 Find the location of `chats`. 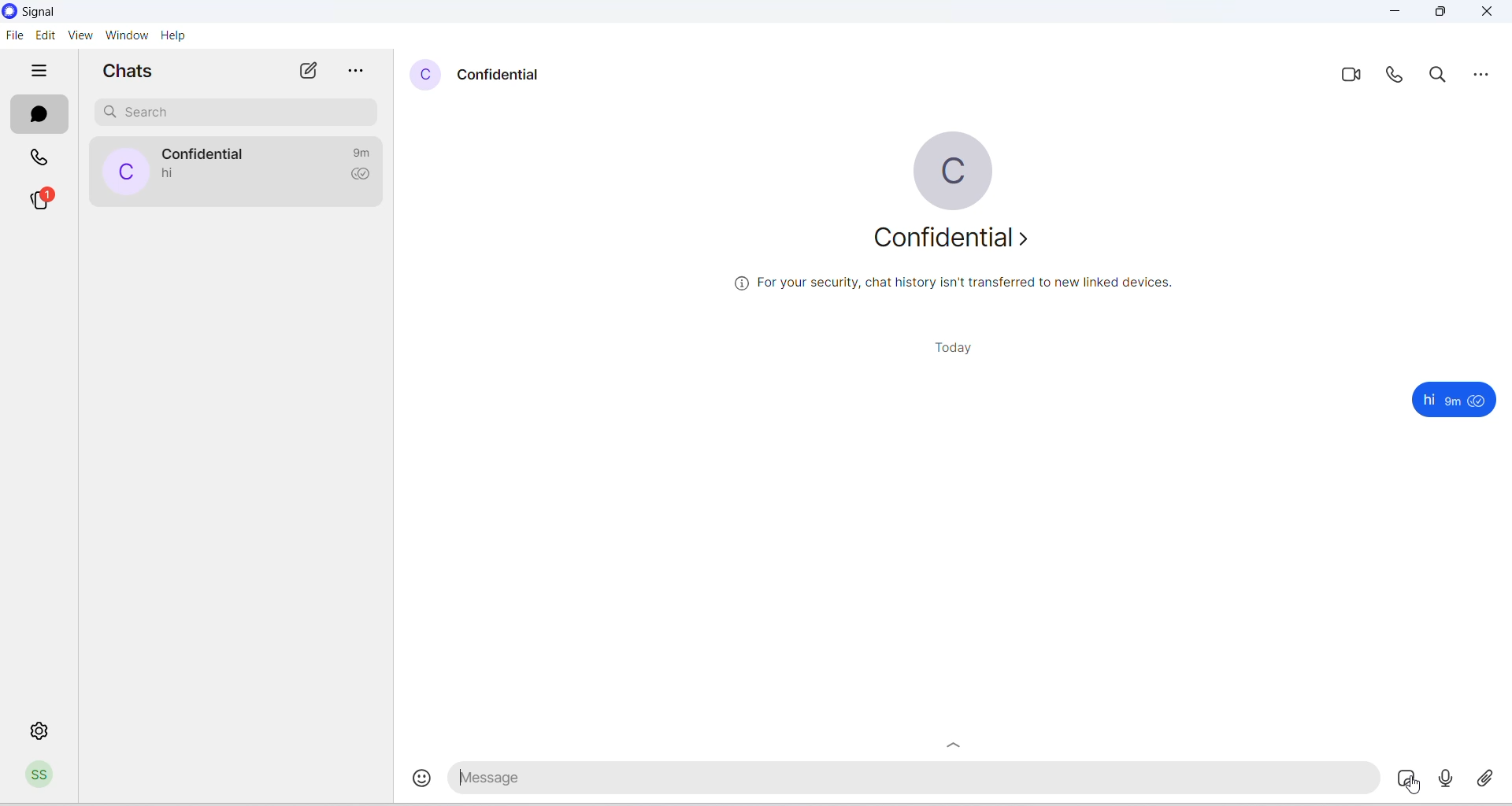

chats is located at coordinates (41, 113).